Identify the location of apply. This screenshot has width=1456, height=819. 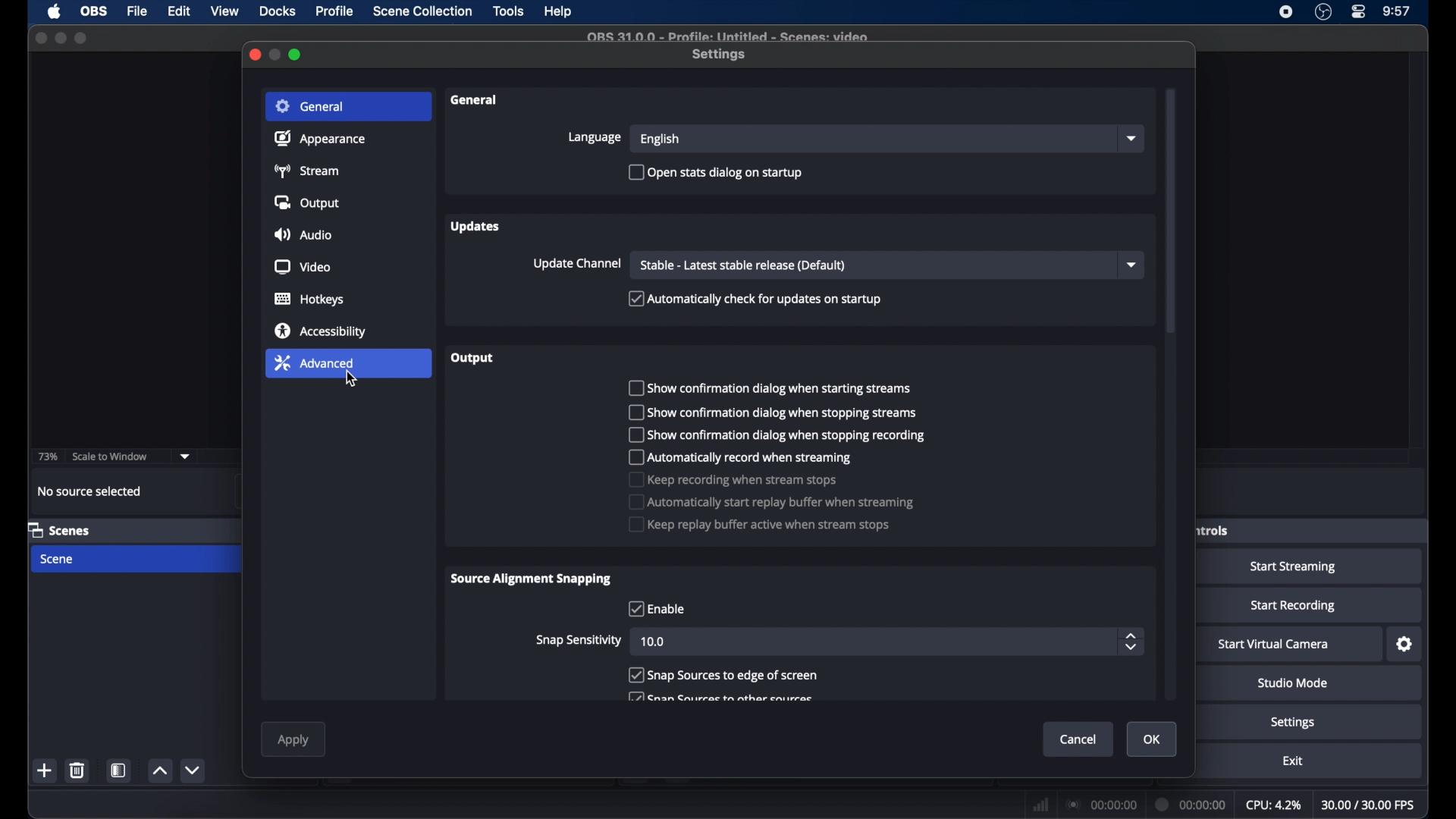
(293, 742).